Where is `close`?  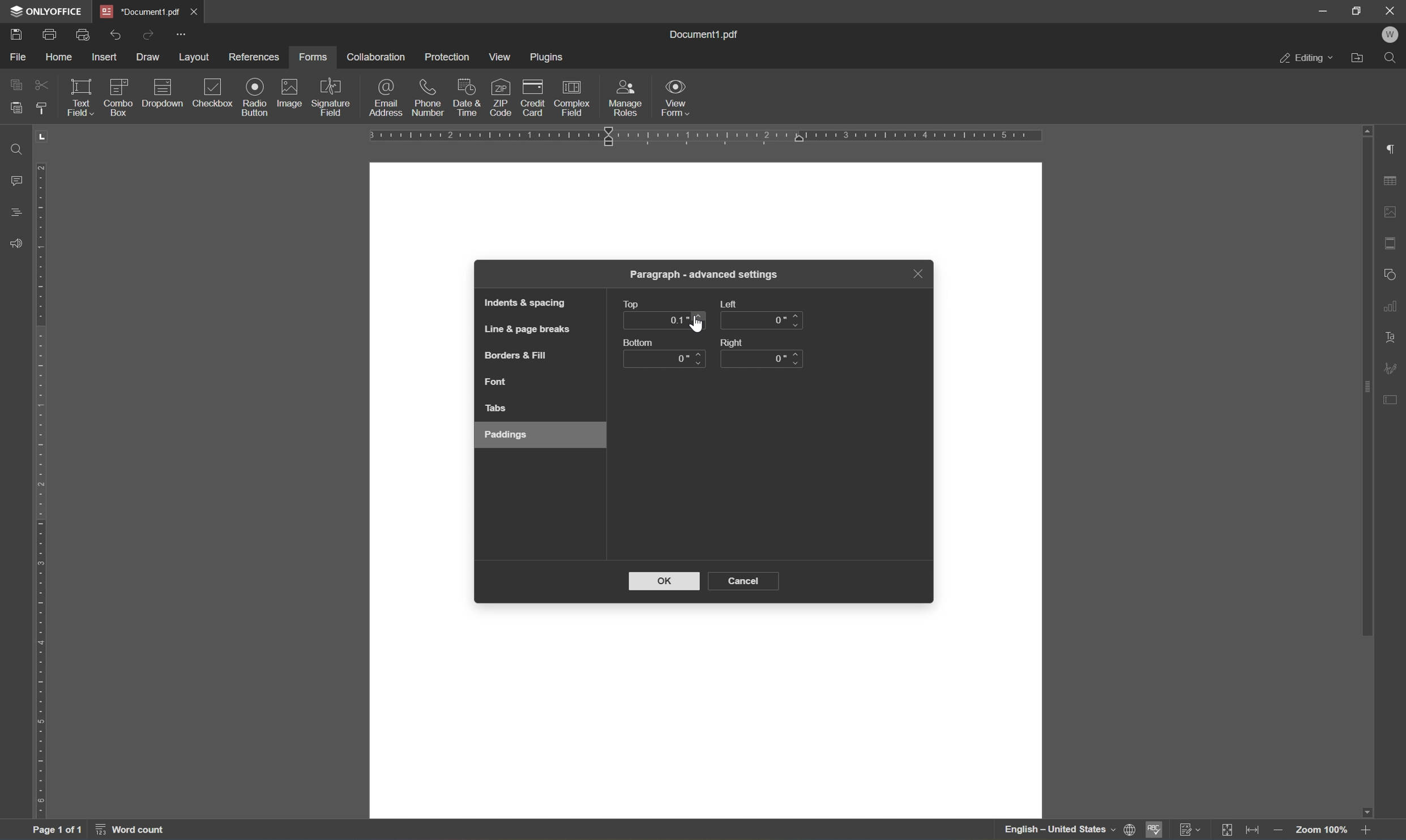 close is located at coordinates (195, 11).